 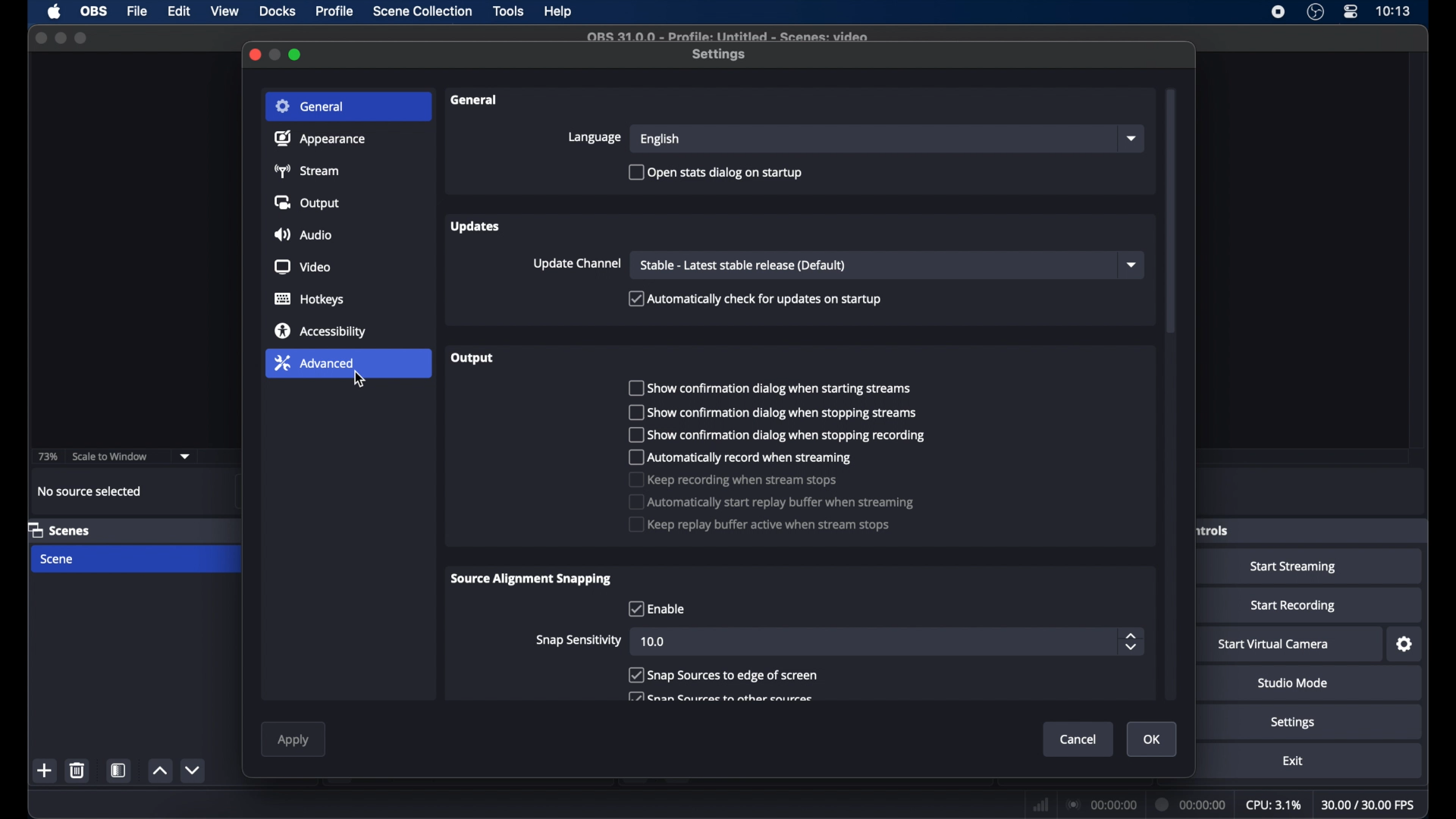 I want to click on english, so click(x=661, y=140).